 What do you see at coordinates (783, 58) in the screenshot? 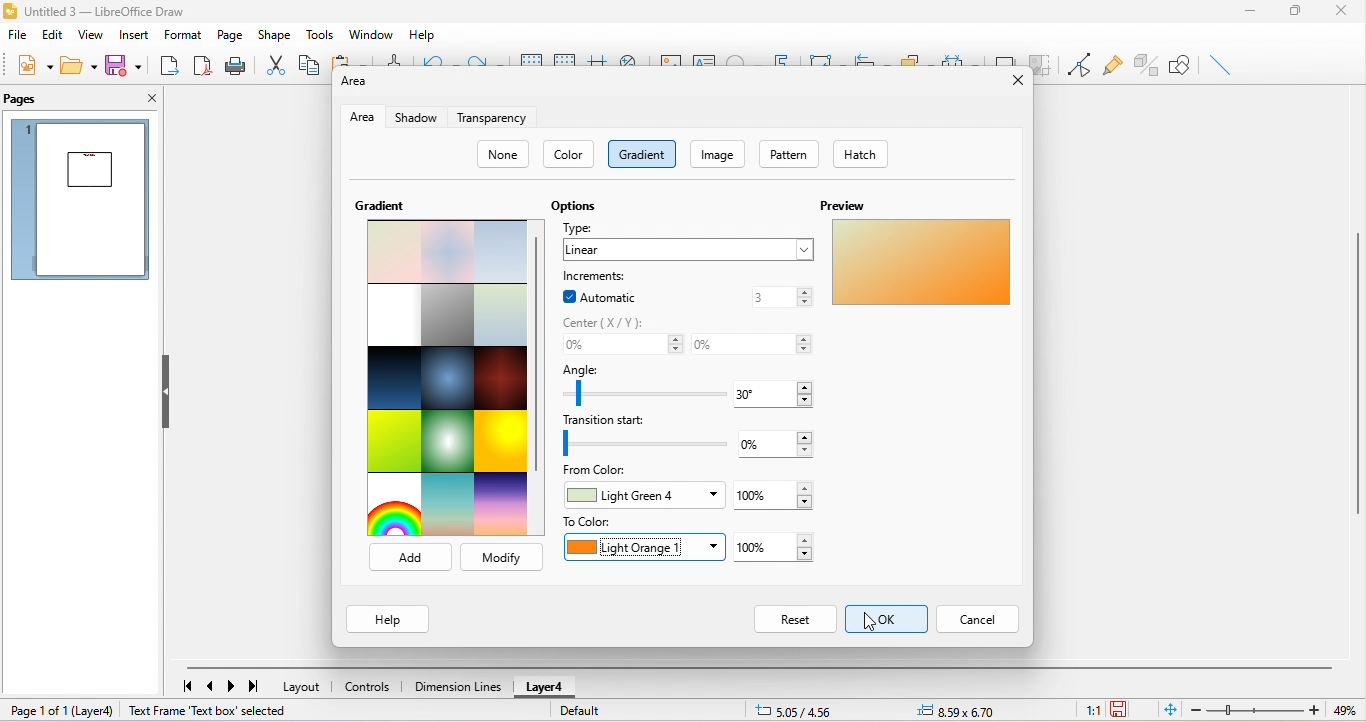
I see `font work text` at bounding box center [783, 58].